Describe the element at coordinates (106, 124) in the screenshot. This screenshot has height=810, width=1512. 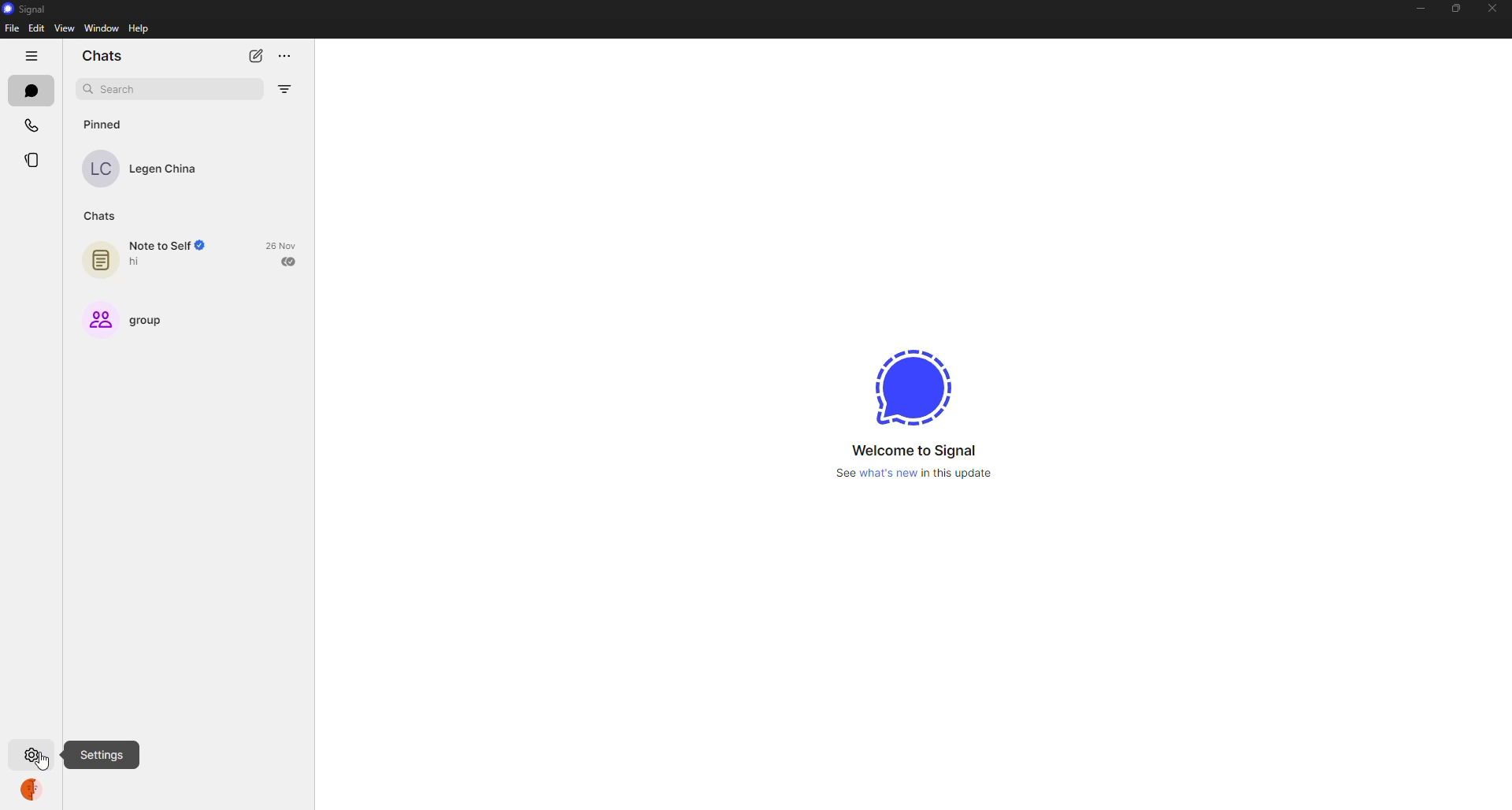
I see `pinned` at that location.